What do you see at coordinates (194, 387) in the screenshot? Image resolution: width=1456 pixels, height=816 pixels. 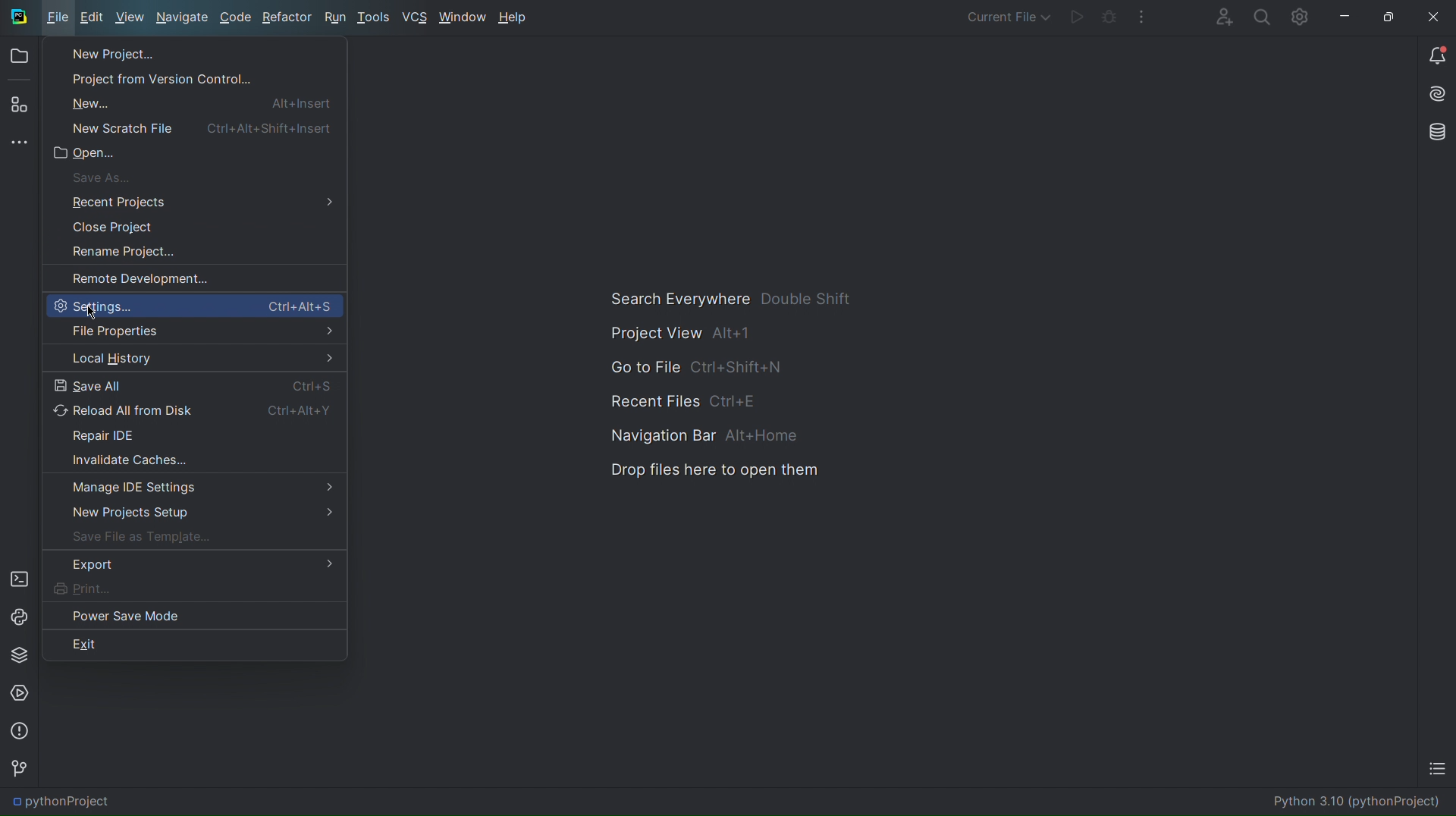 I see `Save All` at bounding box center [194, 387].